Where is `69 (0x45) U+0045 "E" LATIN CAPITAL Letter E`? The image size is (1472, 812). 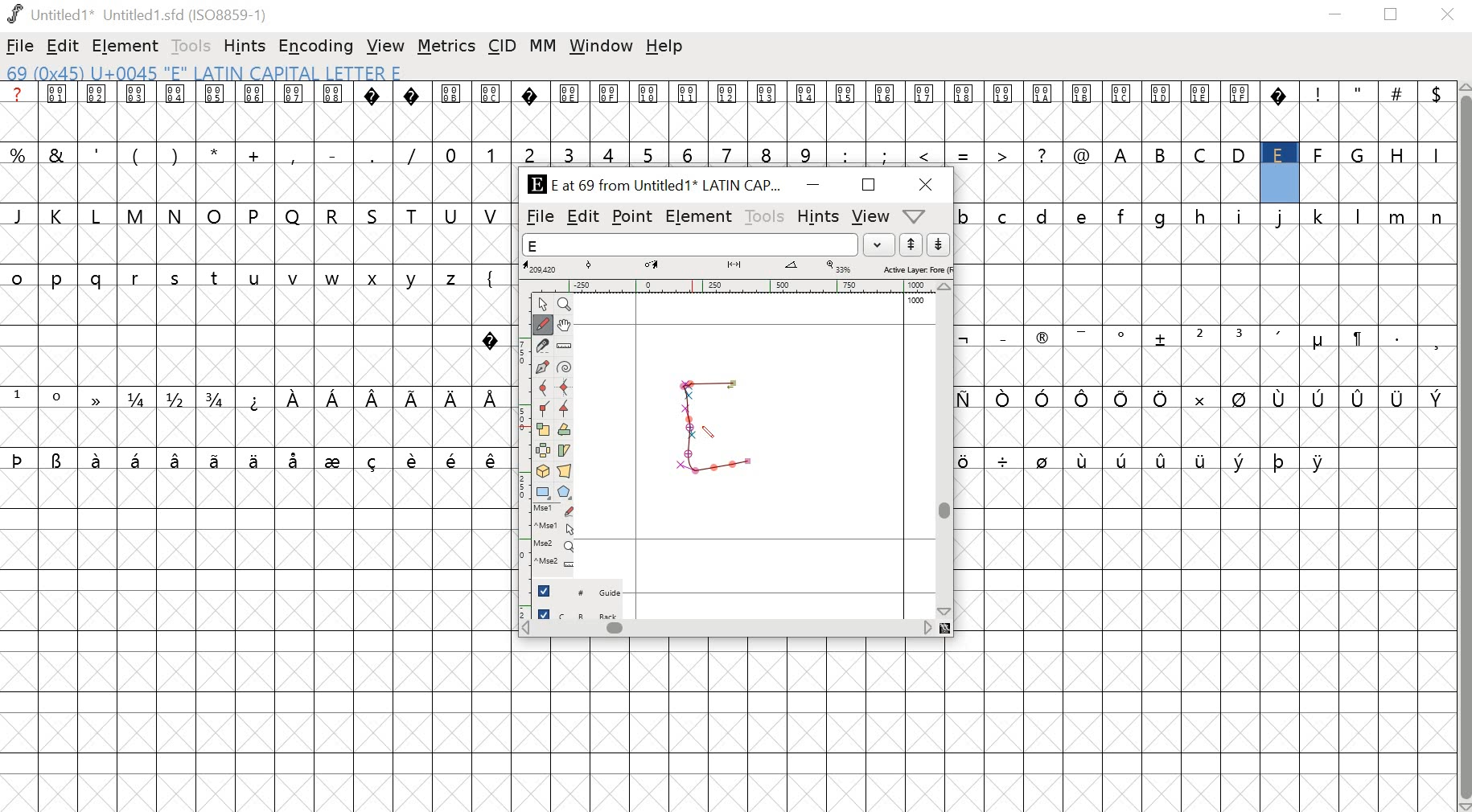
69 (0x45) U+0045 "E" LATIN CAPITAL Letter E is located at coordinates (208, 74).